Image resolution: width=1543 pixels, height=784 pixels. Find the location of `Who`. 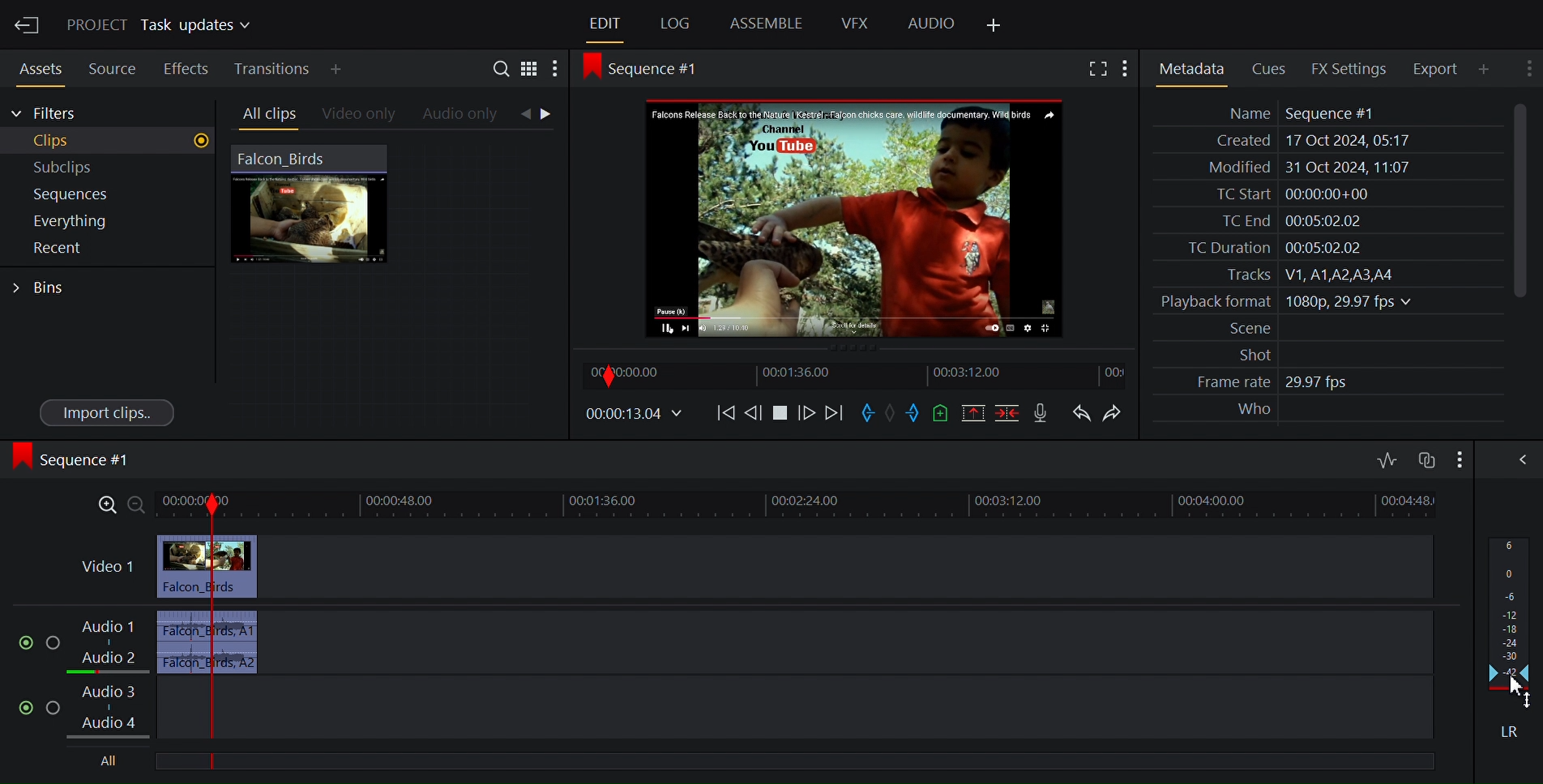

Who is located at coordinates (1251, 410).